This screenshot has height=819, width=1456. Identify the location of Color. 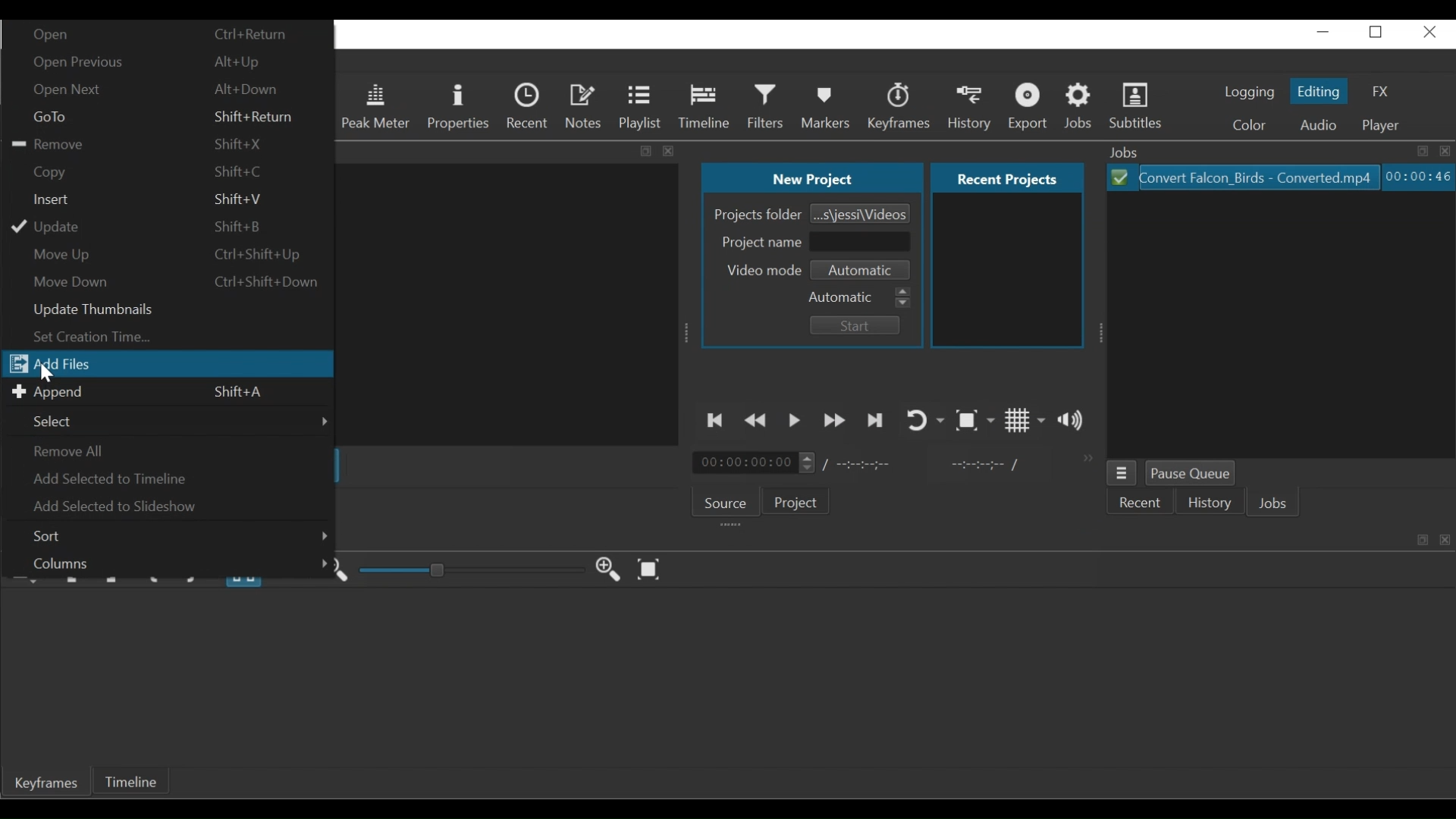
(1254, 127).